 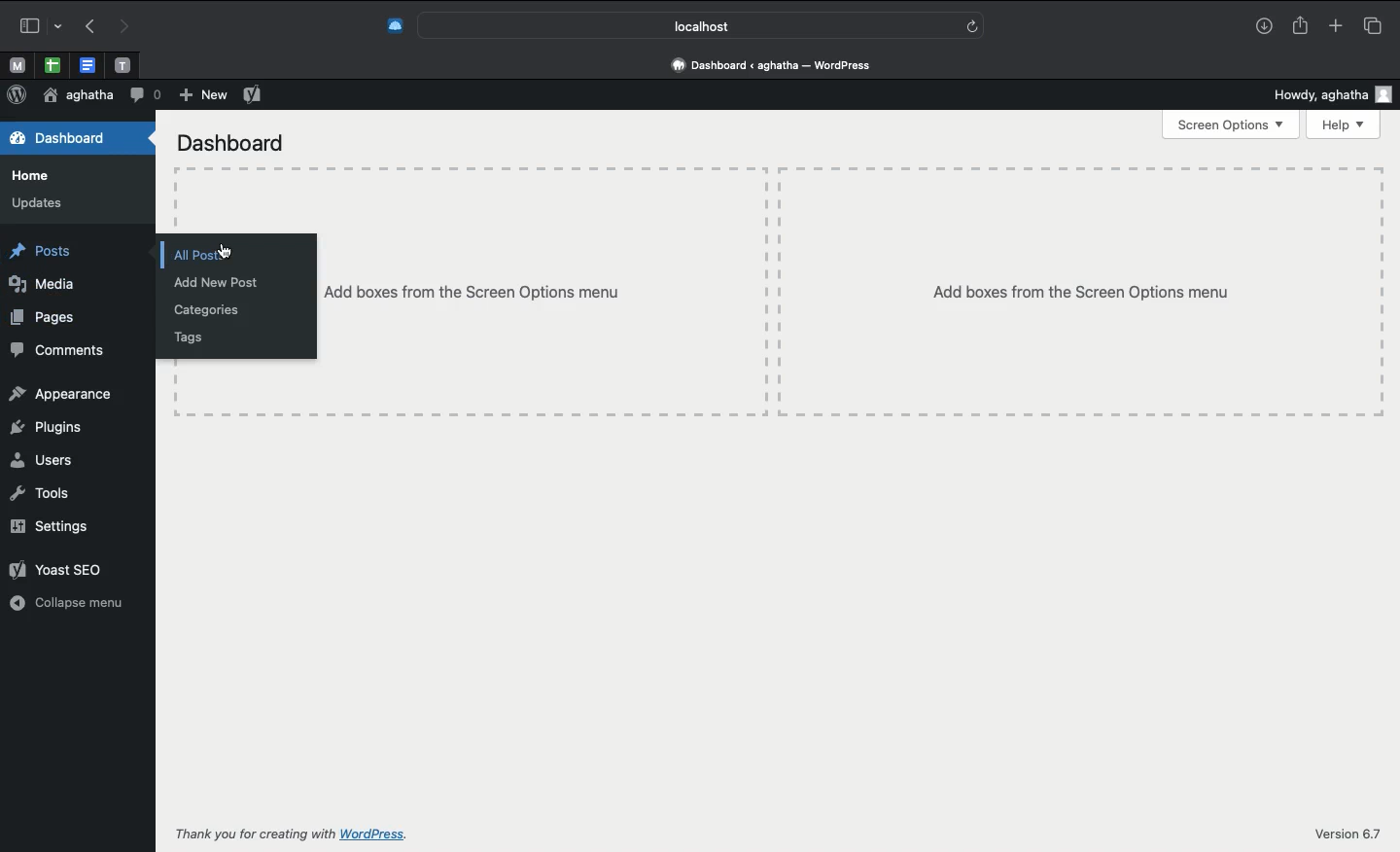 What do you see at coordinates (38, 460) in the screenshot?
I see `Users` at bounding box center [38, 460].